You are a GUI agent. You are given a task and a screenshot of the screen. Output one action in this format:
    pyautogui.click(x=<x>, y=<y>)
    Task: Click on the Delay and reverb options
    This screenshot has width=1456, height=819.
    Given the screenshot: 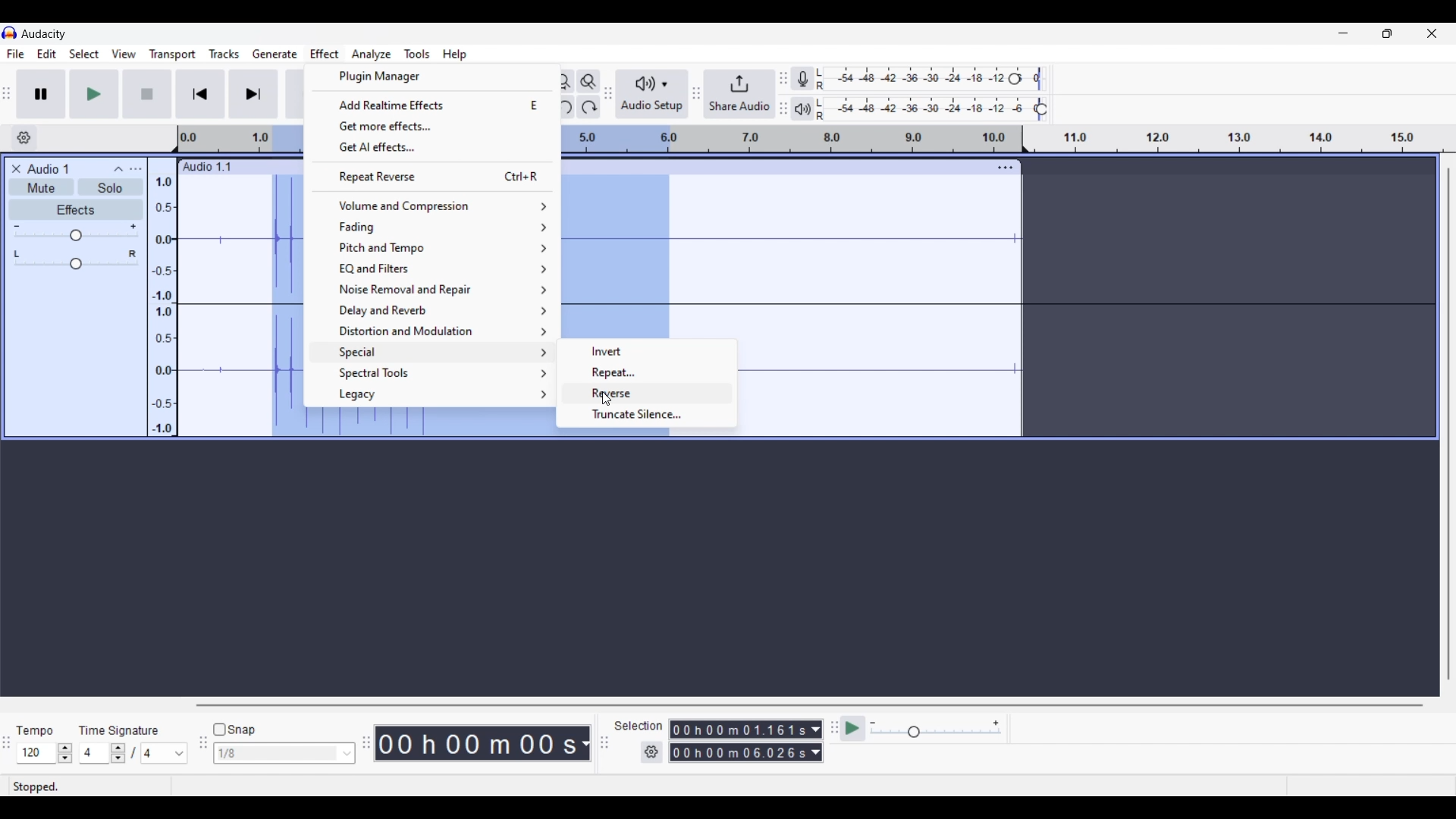 What is the action you would take?
    pyautogui.click(x=433, y=310)
    